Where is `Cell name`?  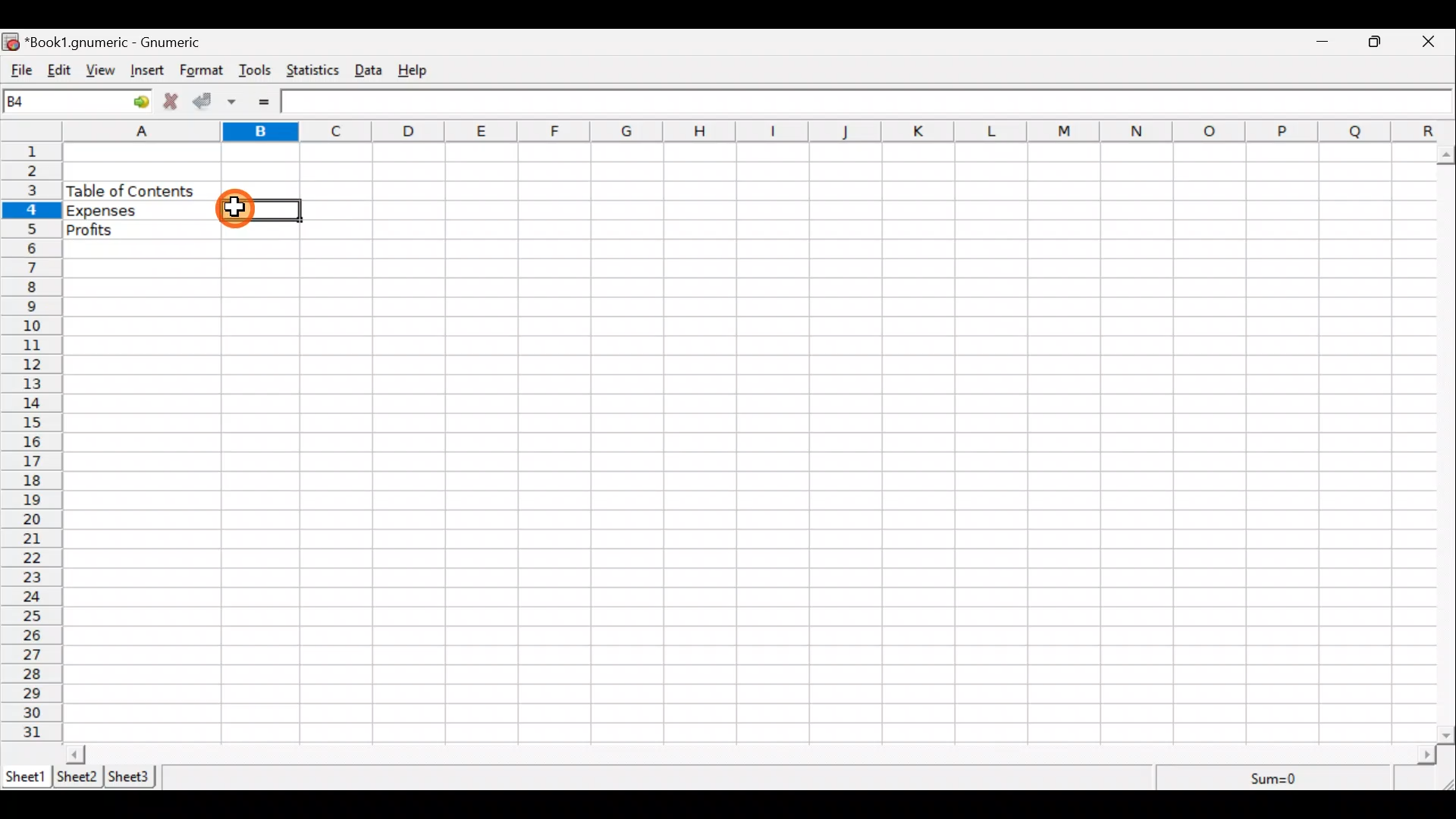 Cell name is located at coordinates (78, 101).